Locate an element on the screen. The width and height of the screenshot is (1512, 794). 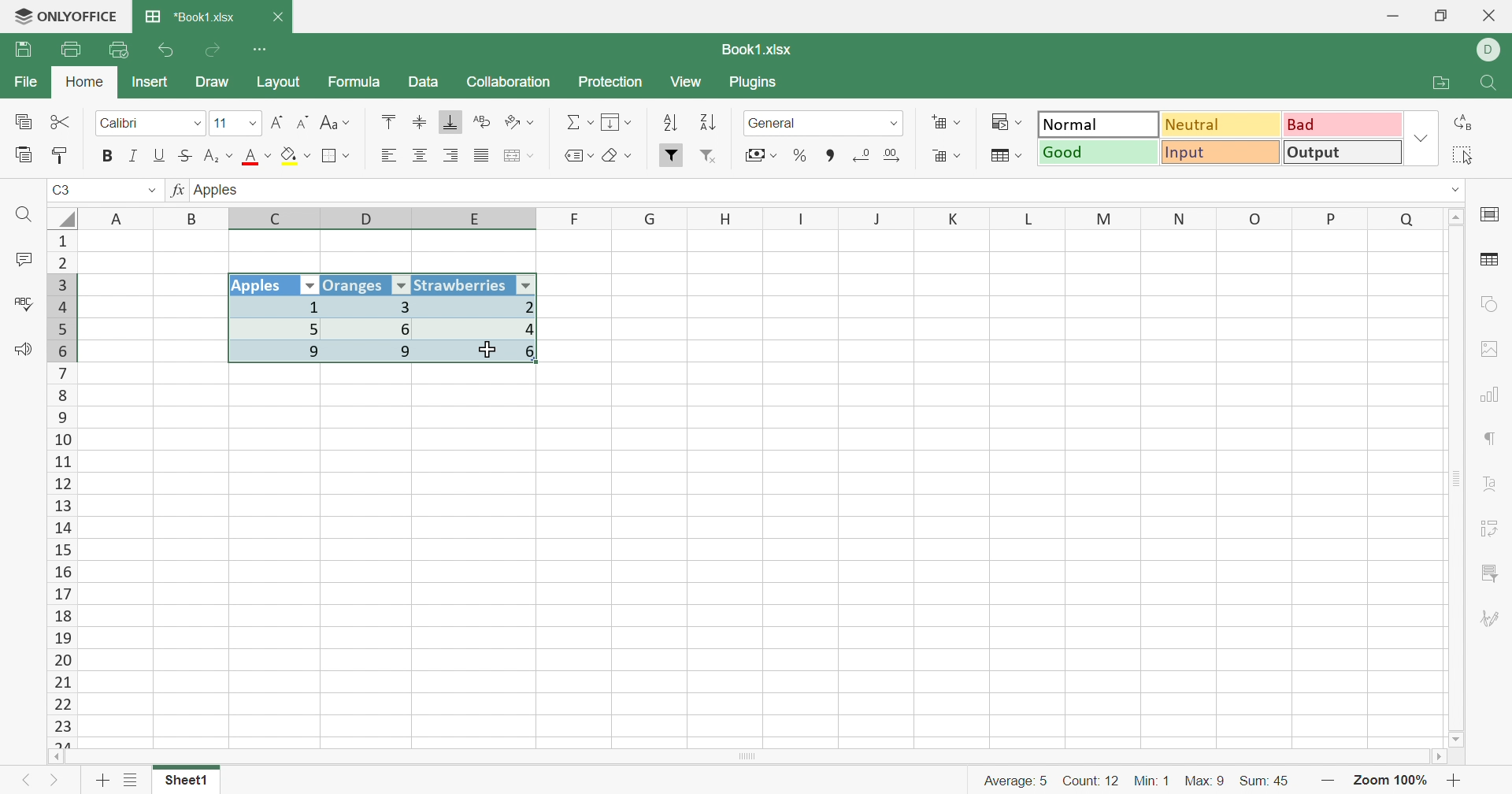
Summation is located at coordinates (580, 123).